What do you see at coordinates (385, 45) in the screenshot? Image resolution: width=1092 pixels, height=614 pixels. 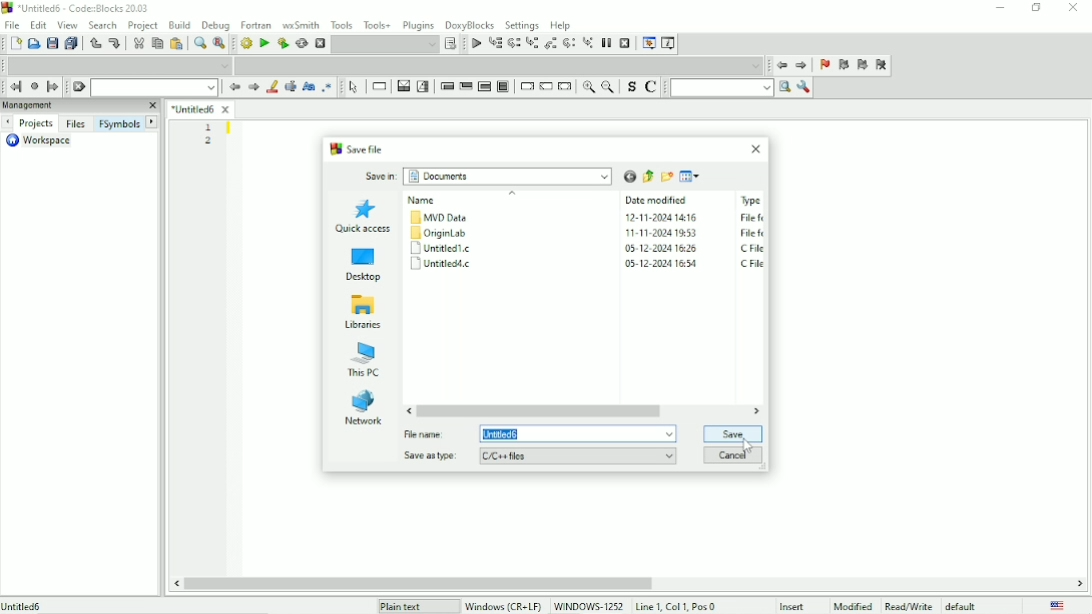 I see `Drop down` at bounding box center [385, 45].